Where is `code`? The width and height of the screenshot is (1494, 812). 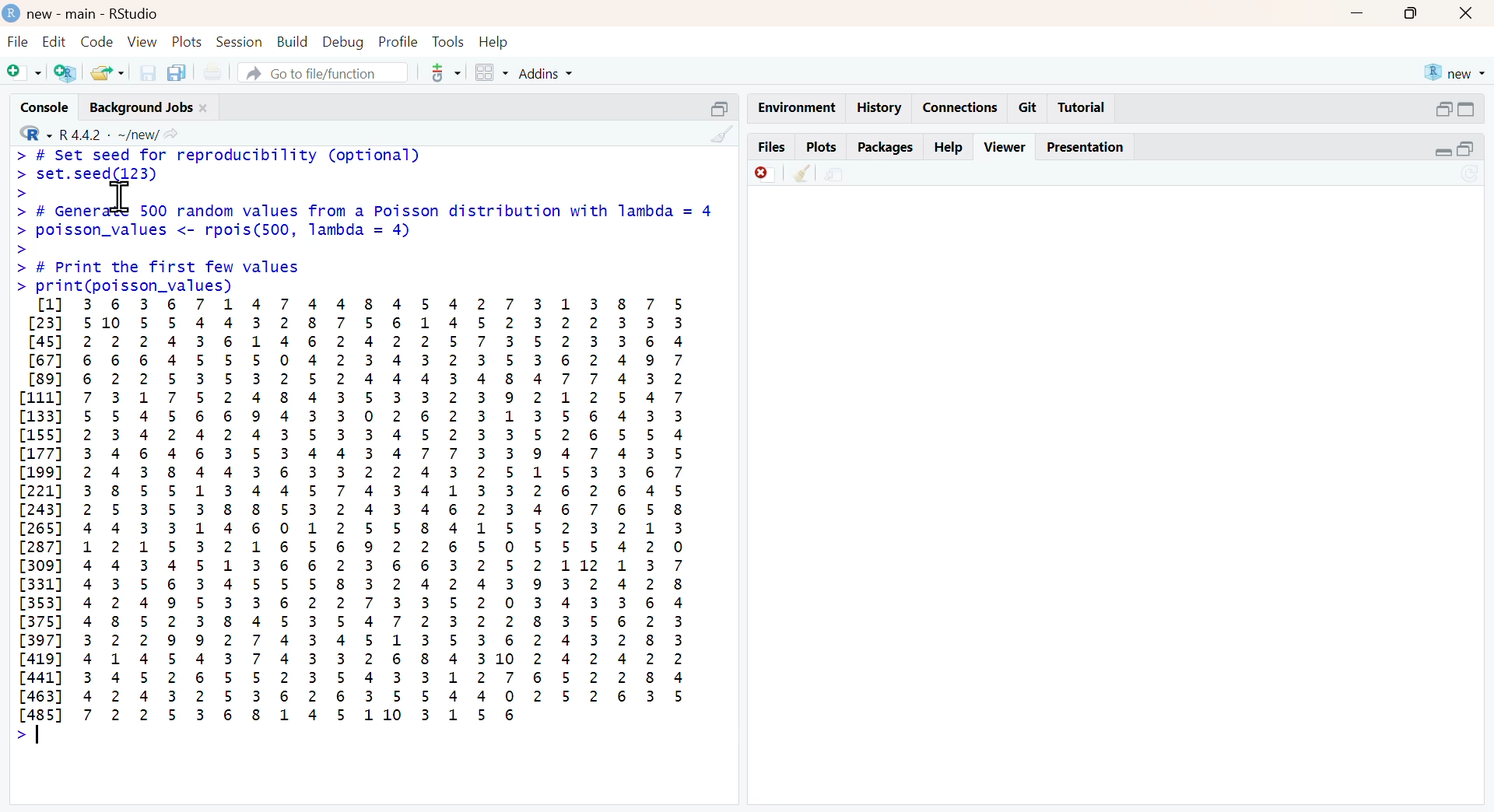
code is located at coordinates (97, 41).